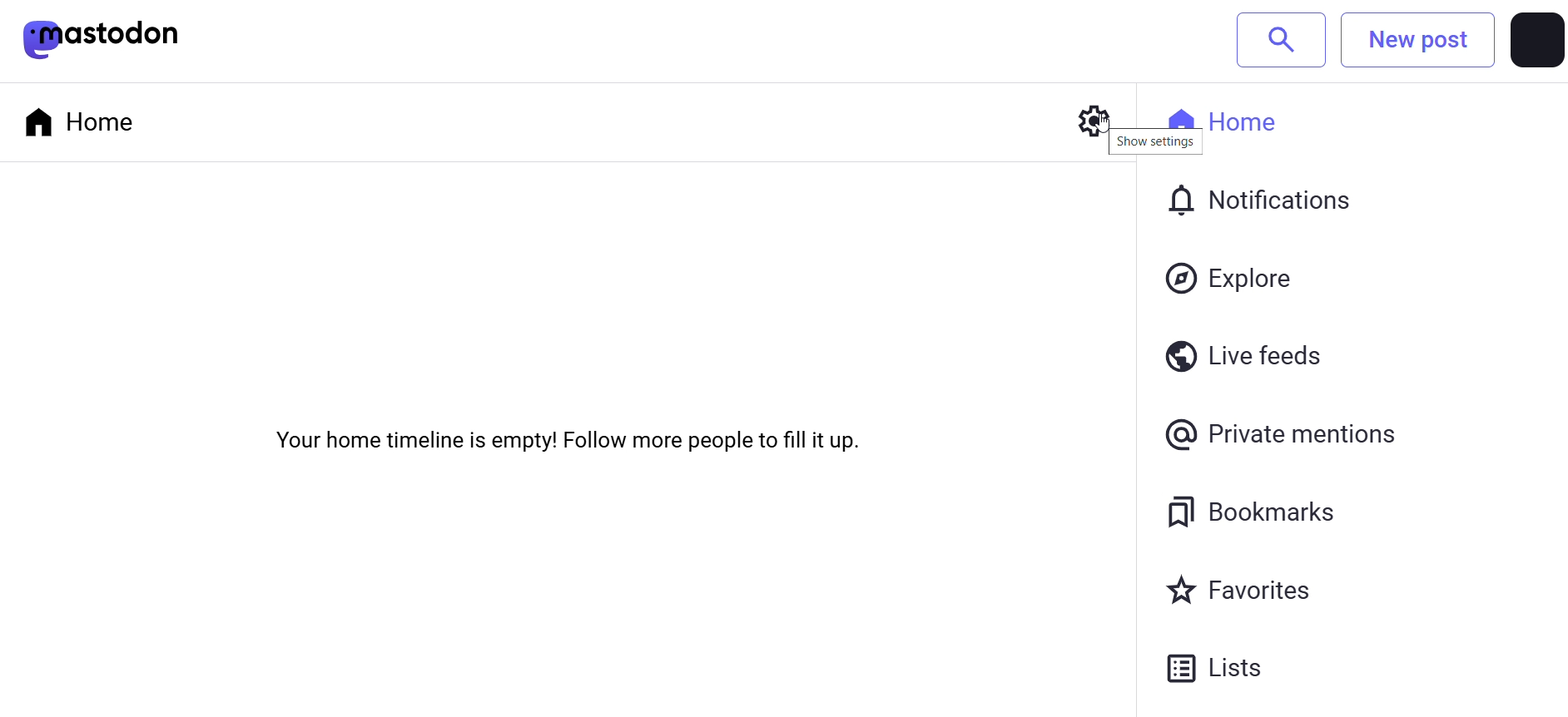 Image resolution: width=1568 pixels, height=717 pixels. I want to click on cursor, so click(1087, 135).